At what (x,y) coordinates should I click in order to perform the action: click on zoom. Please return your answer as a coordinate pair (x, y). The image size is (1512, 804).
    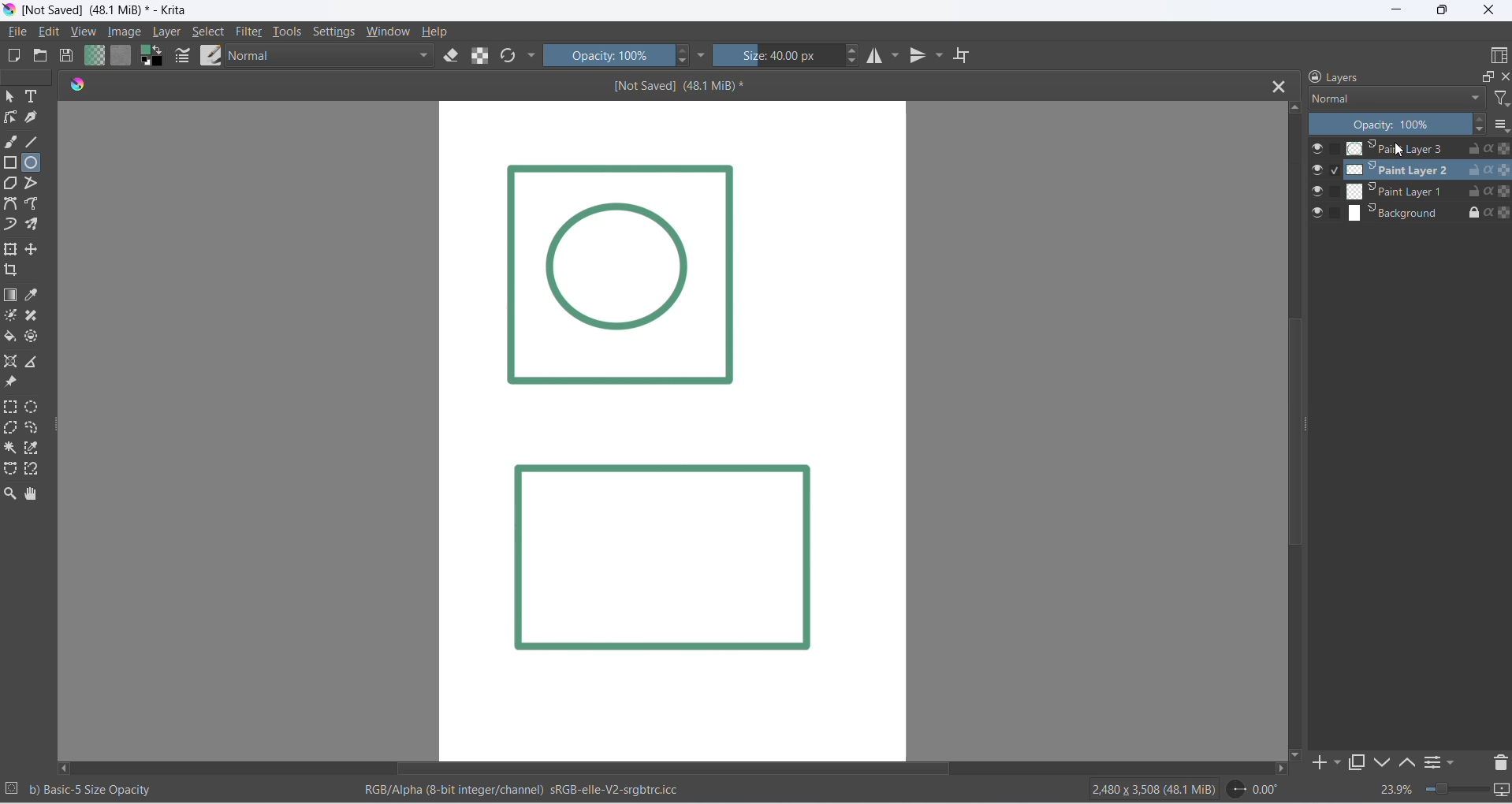
    Looking at the image, I should click on (1458, 787).